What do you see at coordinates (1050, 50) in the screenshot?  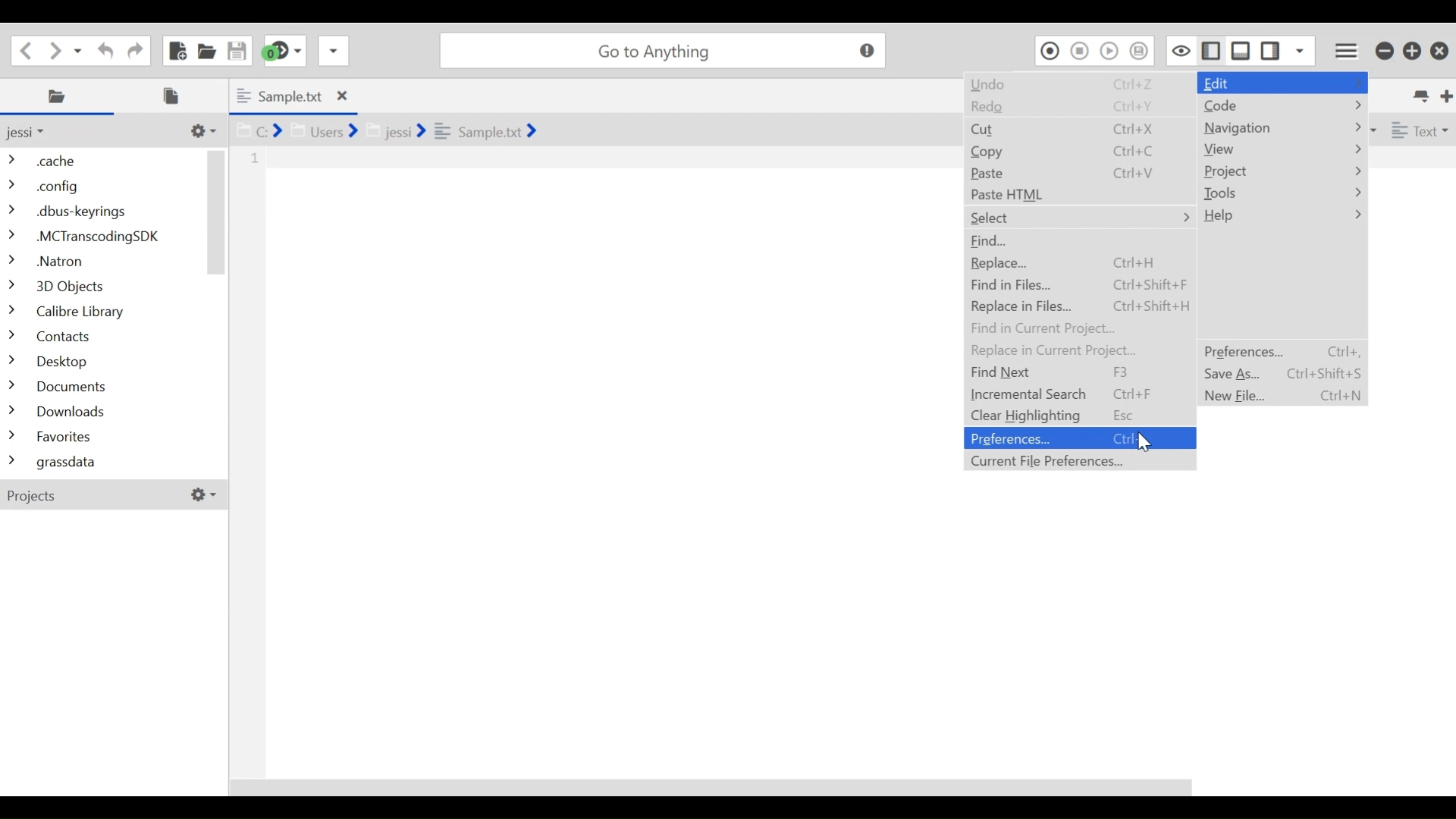 I see `Record Macro` at bounding box center [1050, 50].